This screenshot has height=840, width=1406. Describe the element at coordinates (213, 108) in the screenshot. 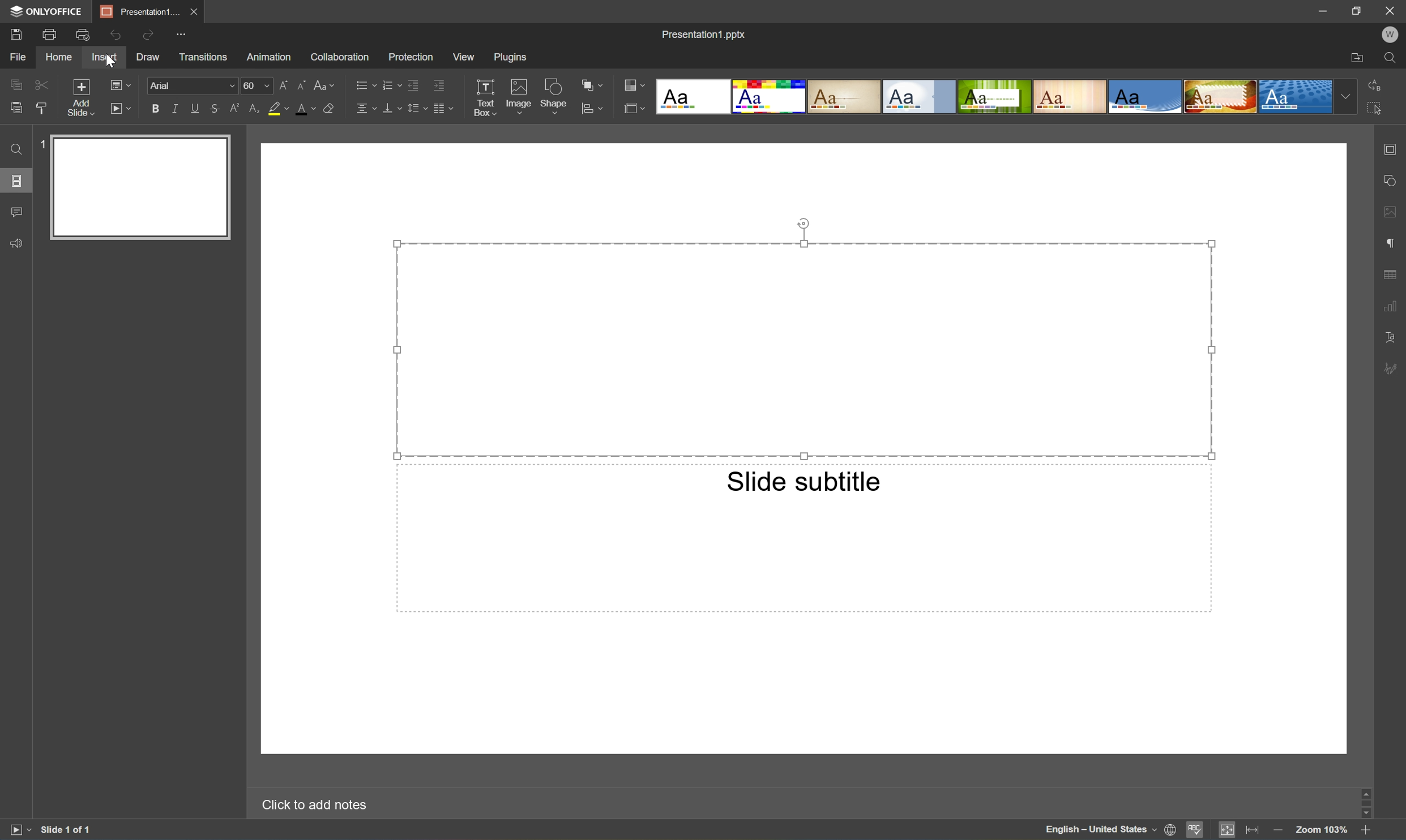

I see `Strikethrough` at that location.